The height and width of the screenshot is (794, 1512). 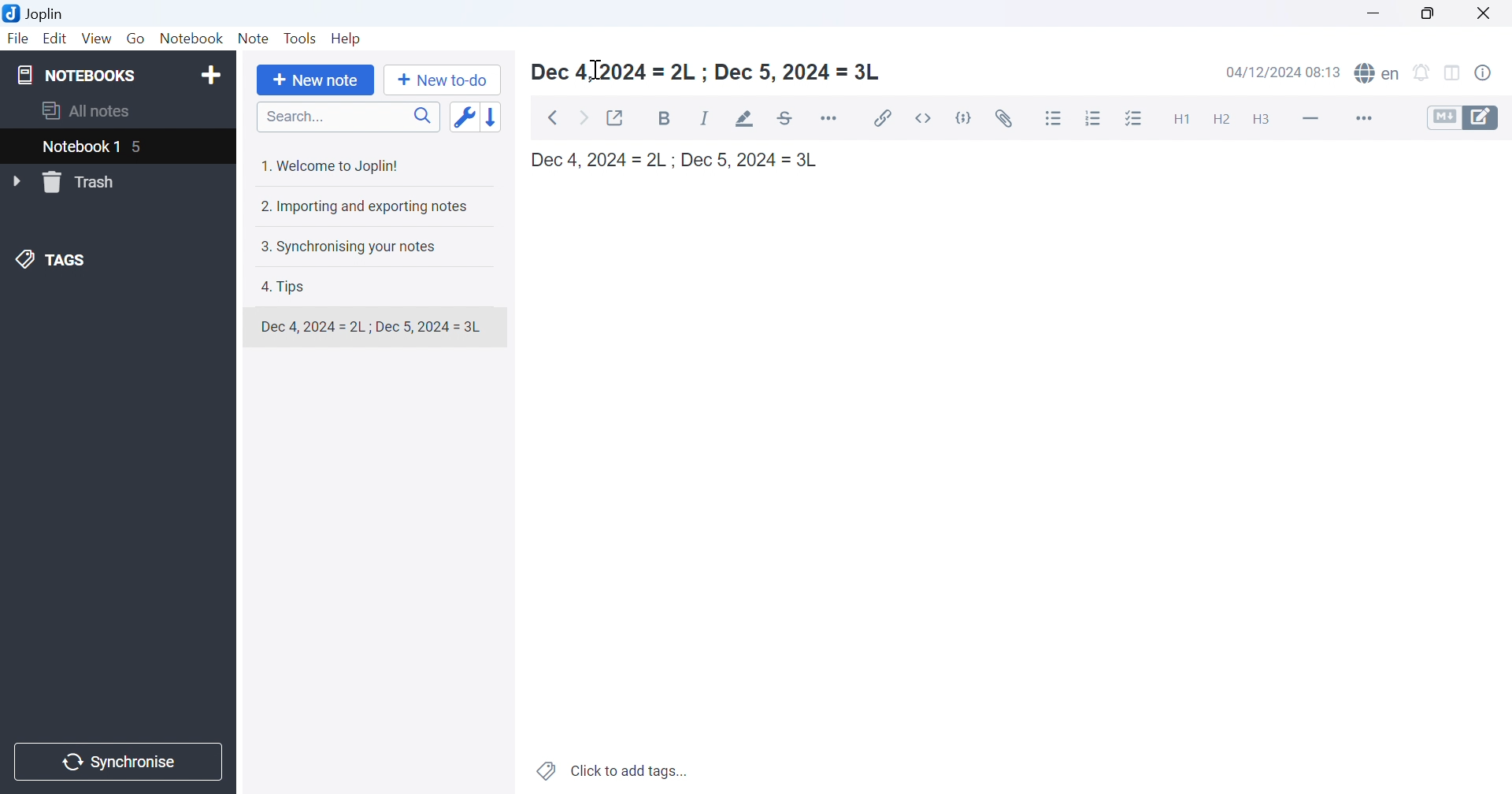 What do you see at coordinates (614, 772) in the screenshot?
I see `click to add tags` at bounding box center [614, 772].